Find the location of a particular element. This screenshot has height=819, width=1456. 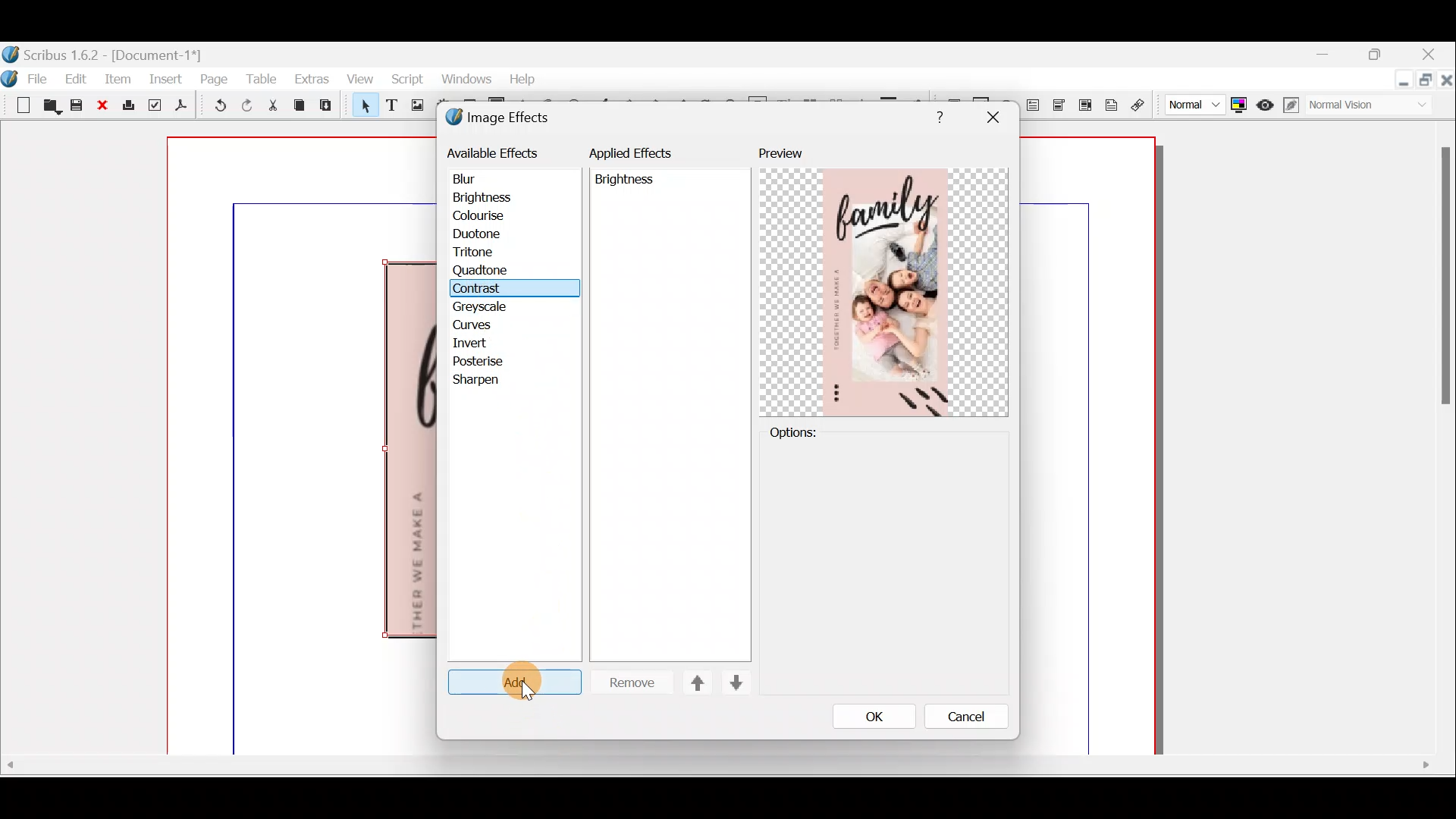

Maximise is located at coordinates (1427, 82).